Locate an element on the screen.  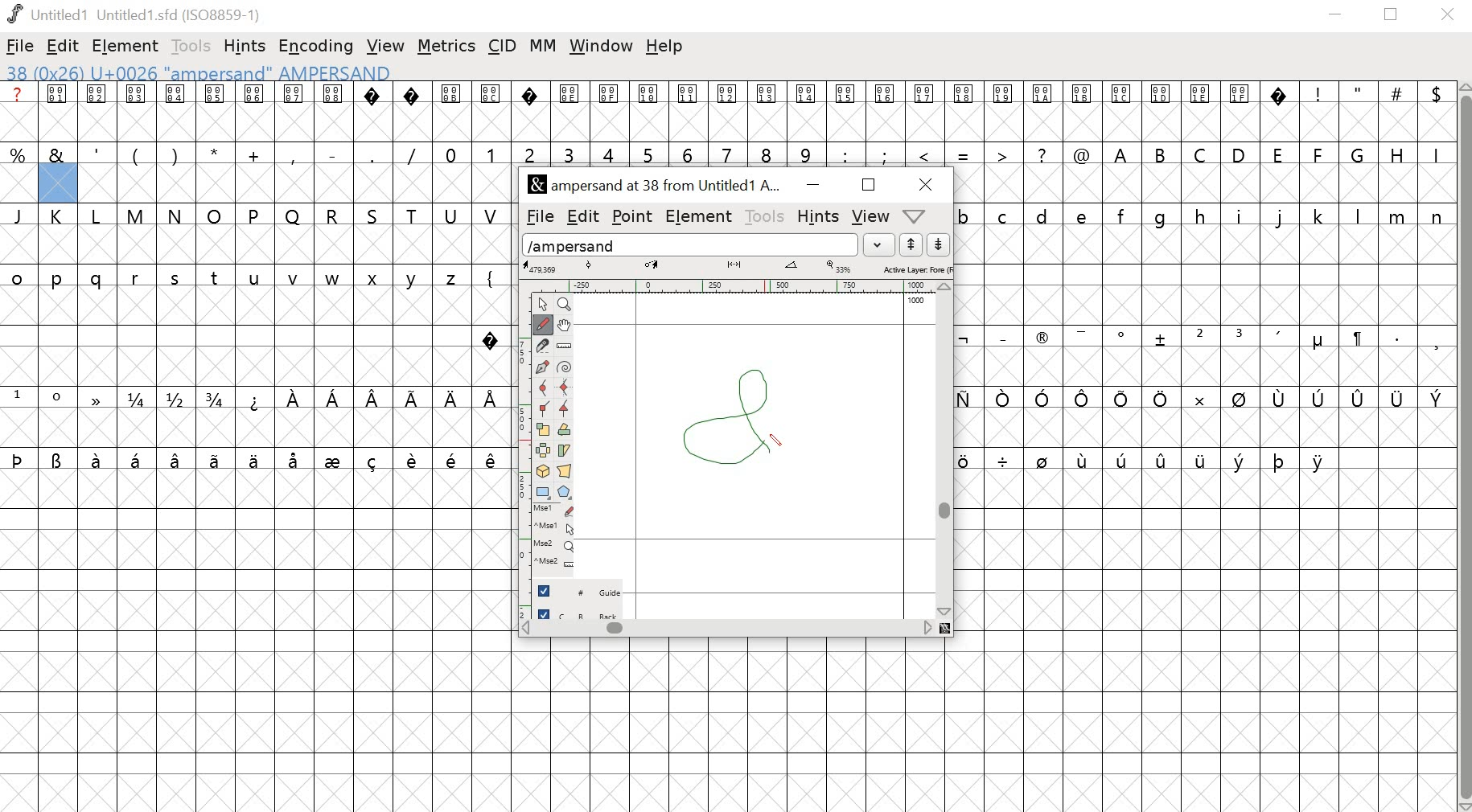
element is located at coordinates (127, 45).